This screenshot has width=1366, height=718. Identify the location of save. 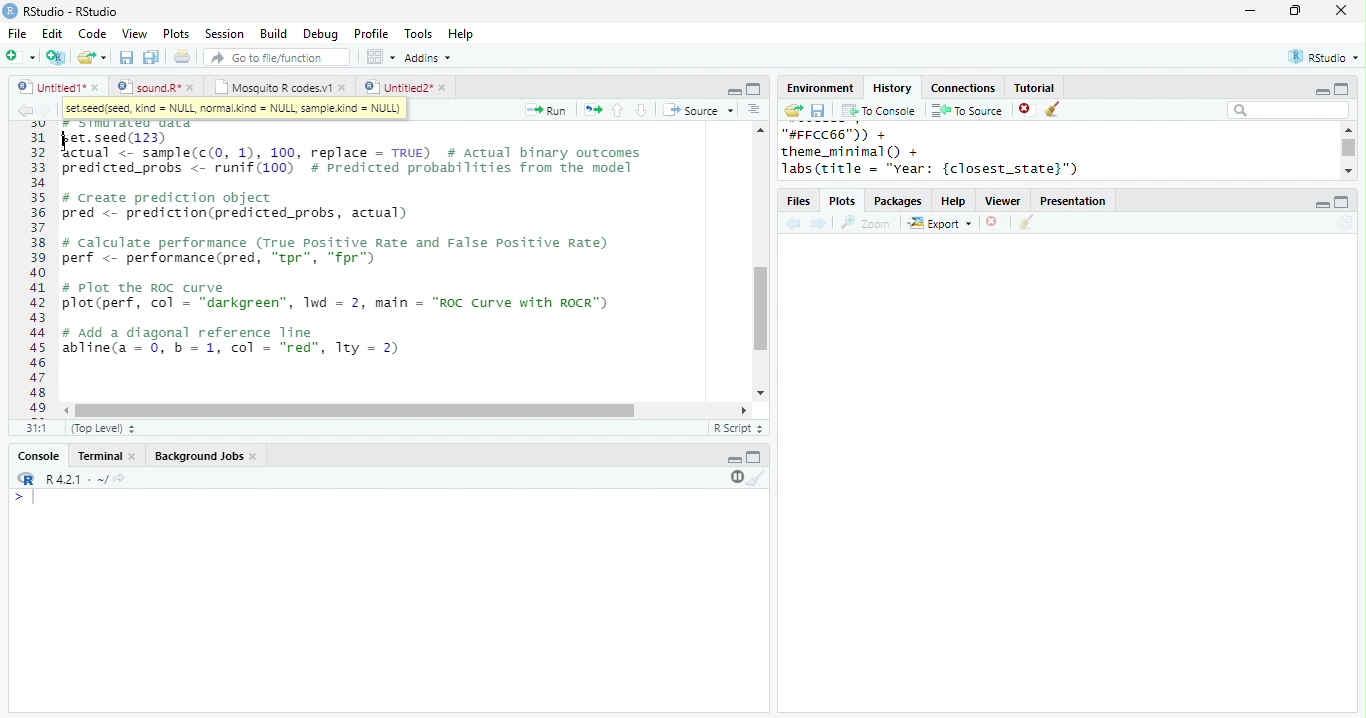
(126, 57).